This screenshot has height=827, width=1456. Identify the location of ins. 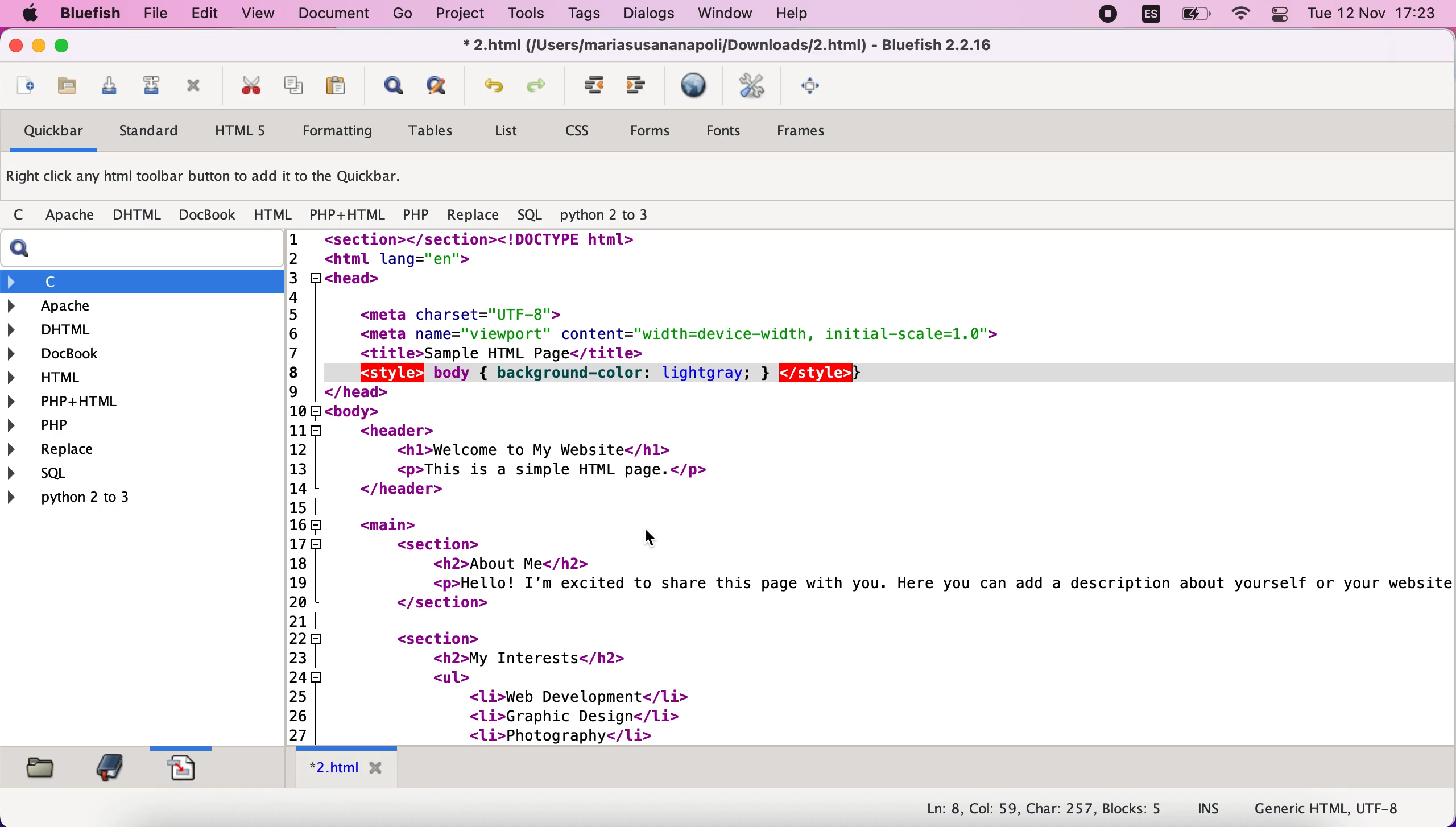
(1209, 811).